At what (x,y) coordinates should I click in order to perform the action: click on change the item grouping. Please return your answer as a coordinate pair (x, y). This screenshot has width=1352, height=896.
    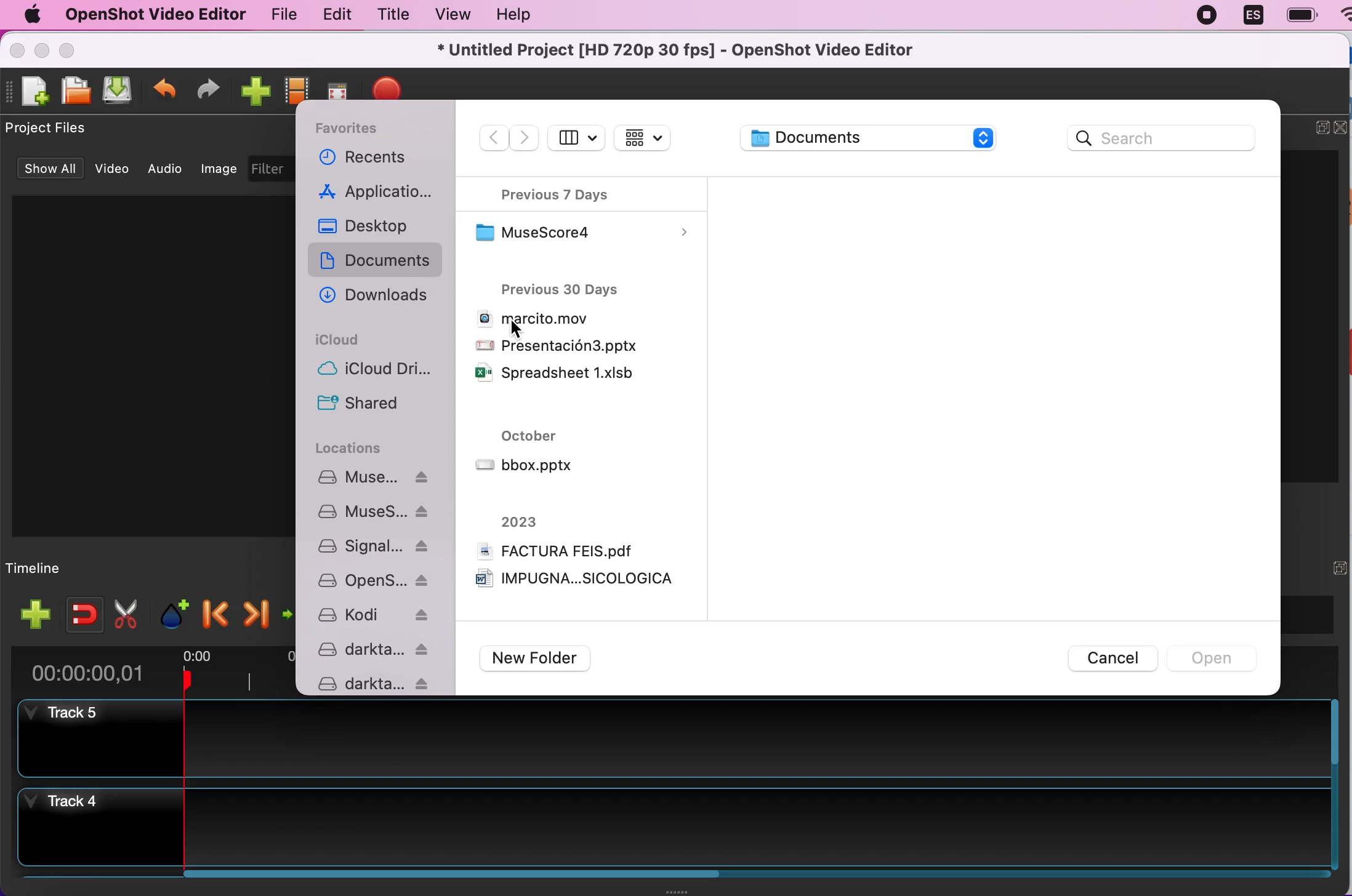
    Looking at the image, I should click on (644, 140).